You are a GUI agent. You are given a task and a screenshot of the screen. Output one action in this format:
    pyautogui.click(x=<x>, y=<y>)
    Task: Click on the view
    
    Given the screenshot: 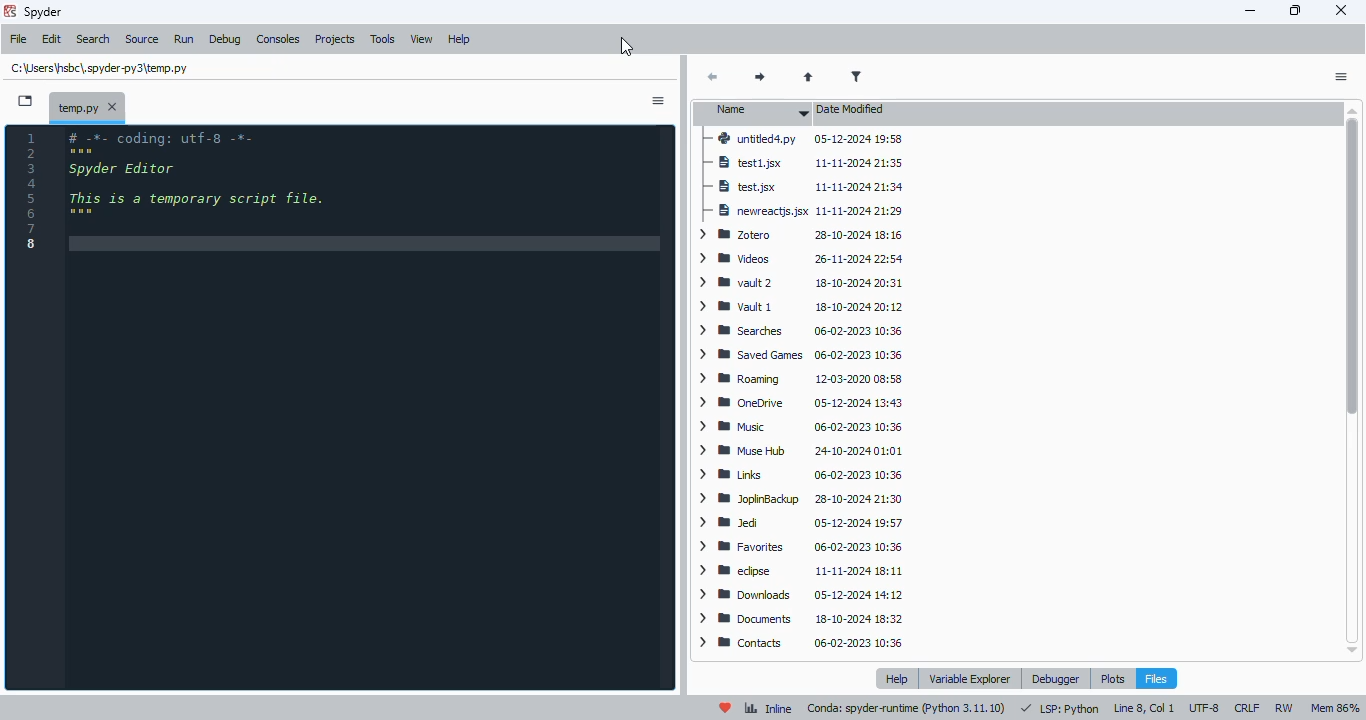 What is the action you would take?
    pyautogui.click(x=422, y=40)
    